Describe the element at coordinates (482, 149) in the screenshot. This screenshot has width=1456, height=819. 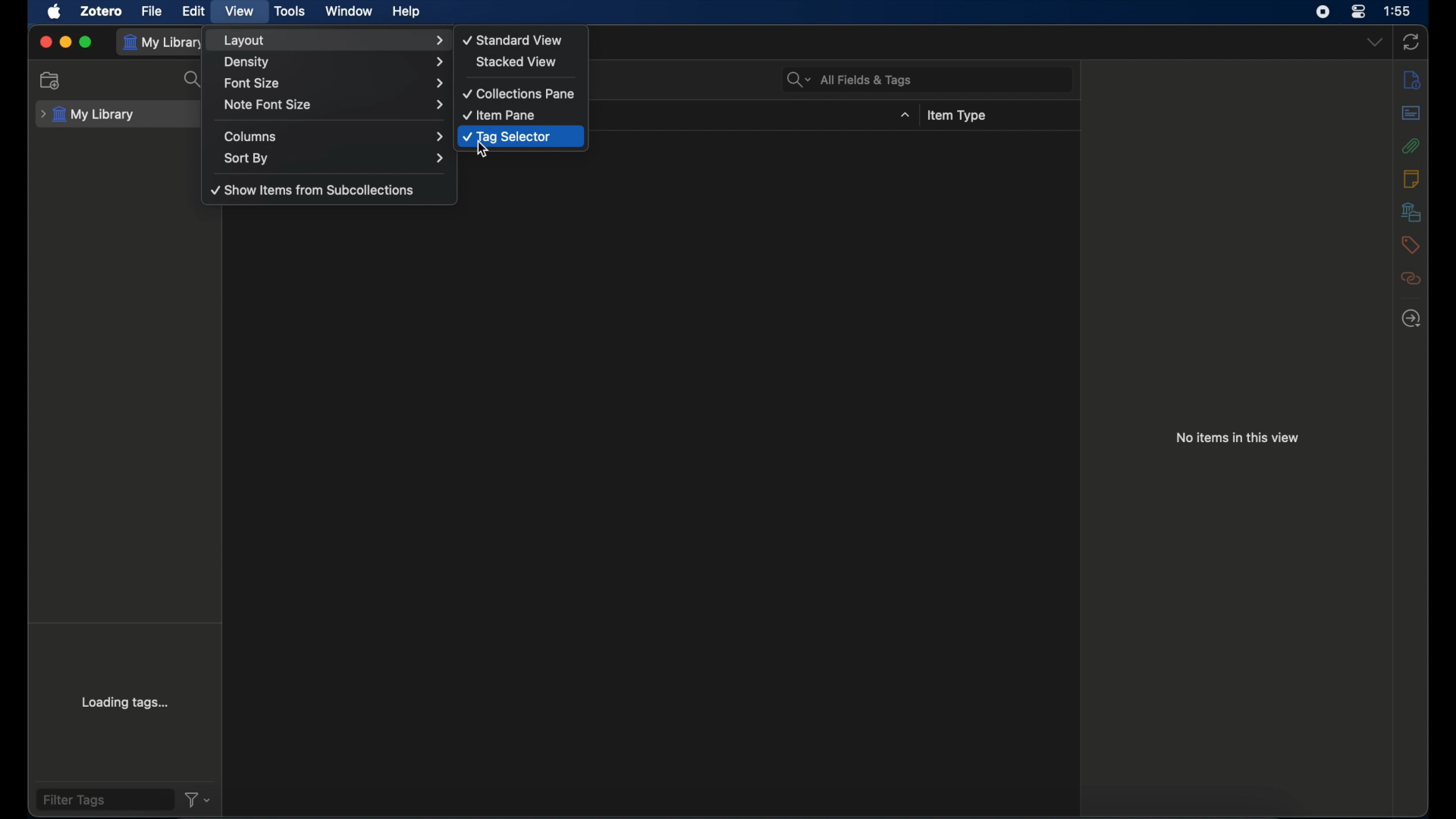
I see `cursor` at that location.